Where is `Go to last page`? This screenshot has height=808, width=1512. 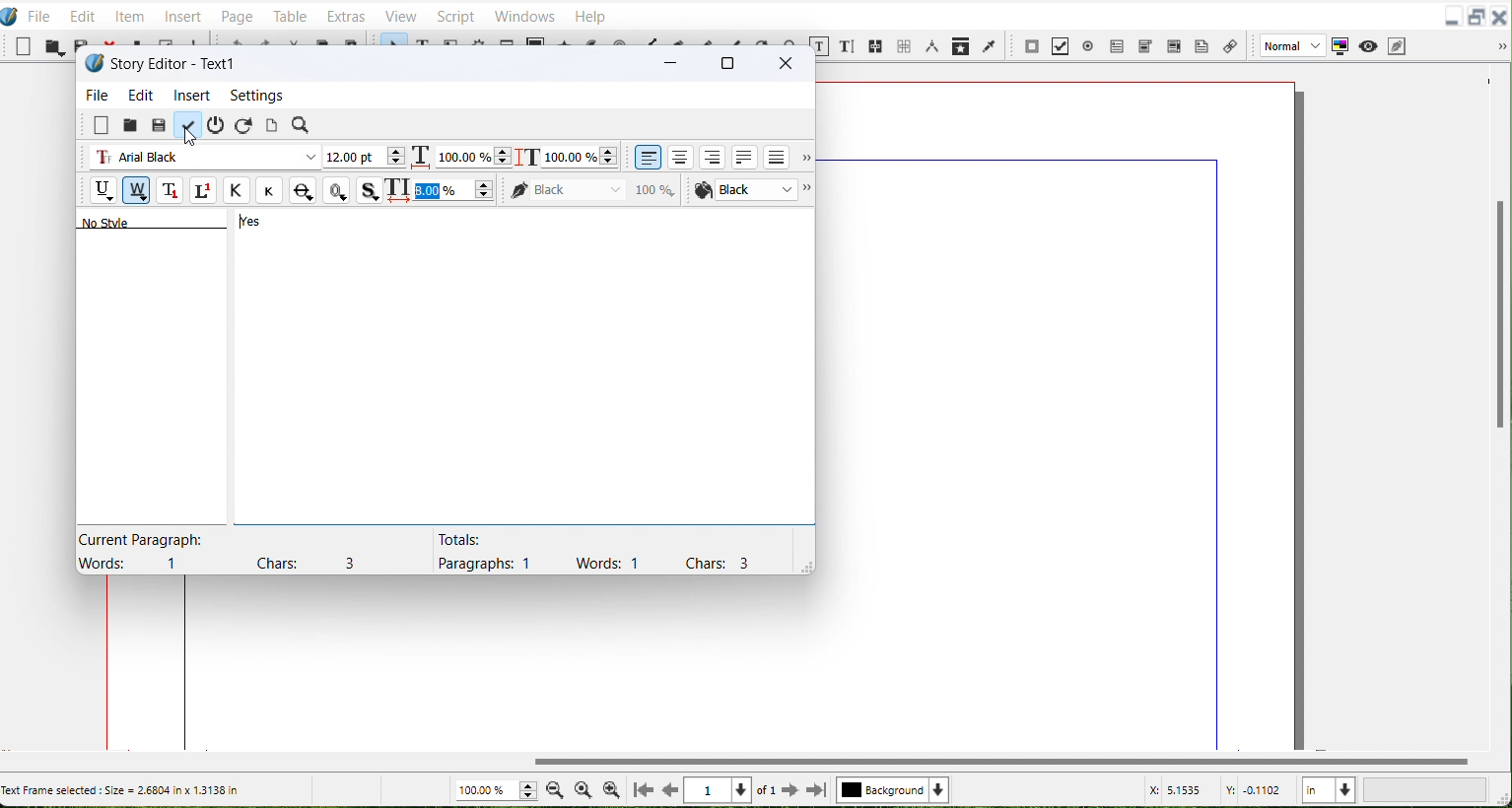
Go to last page is located at coordinates (817, 790).